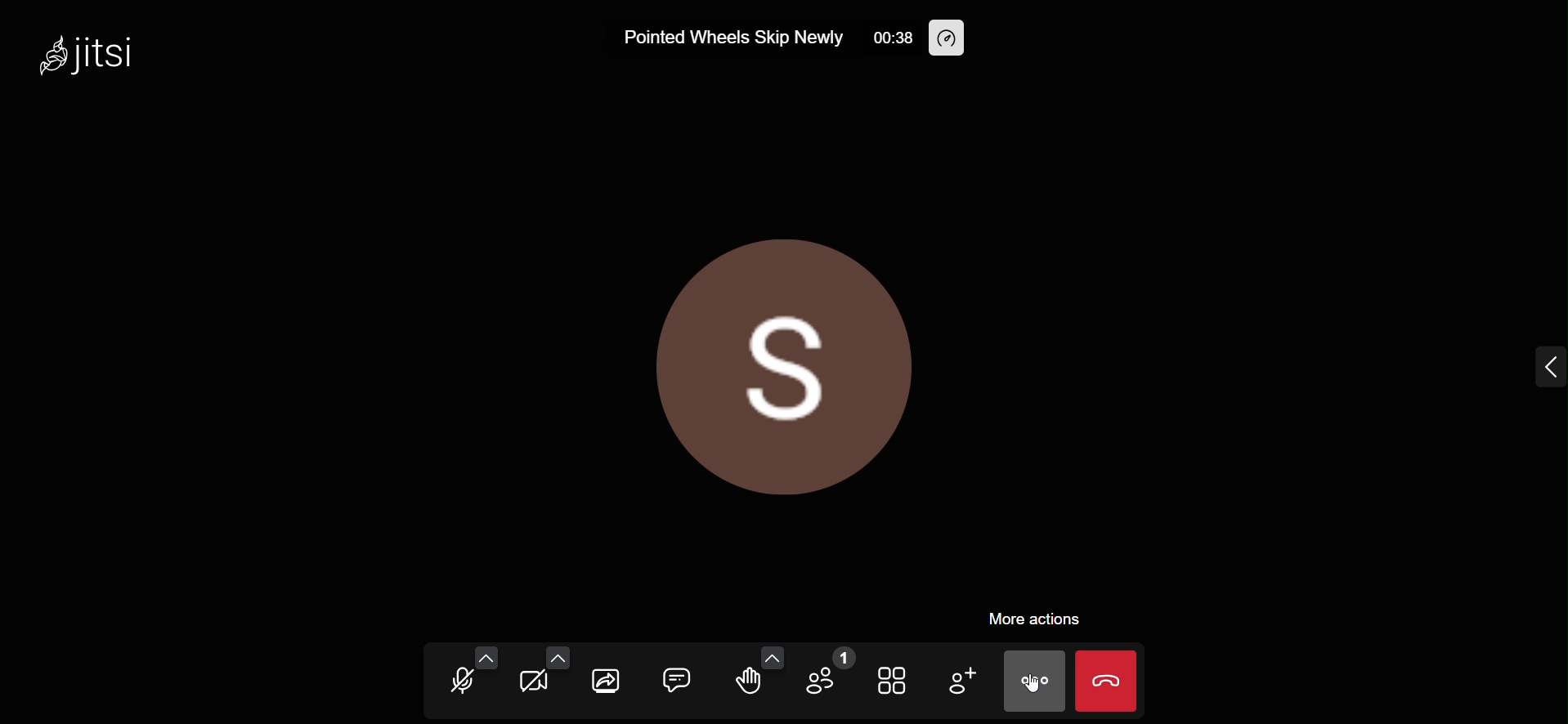 The width and height of the screenshot is (1568, 724). What do you see at coordinates (1028, 689) in the screenshot?
I see `cursor` at bounding box center [1028, 689].